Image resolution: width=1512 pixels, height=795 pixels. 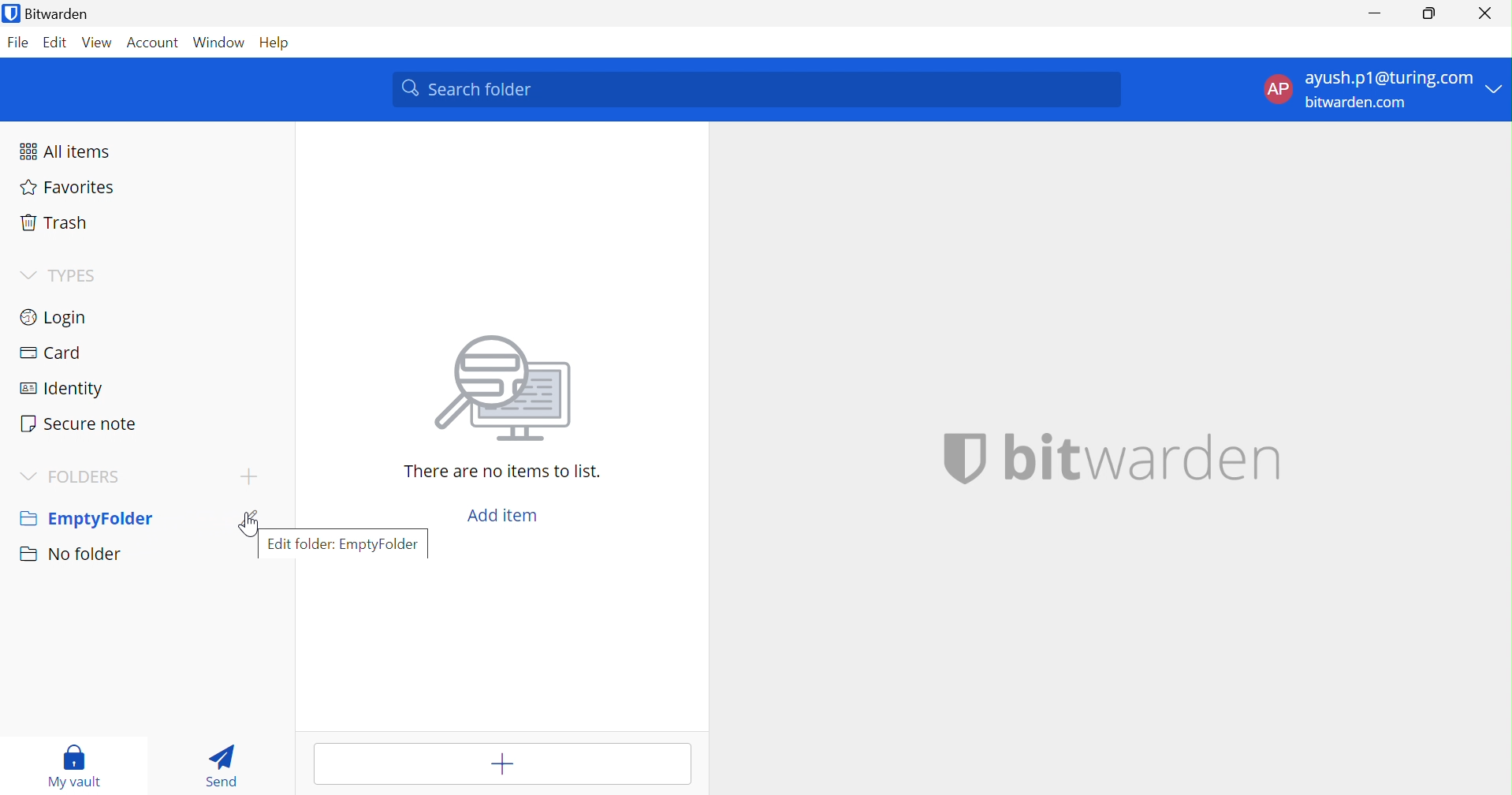 I want to click on Card, so click(x=50, y=354).